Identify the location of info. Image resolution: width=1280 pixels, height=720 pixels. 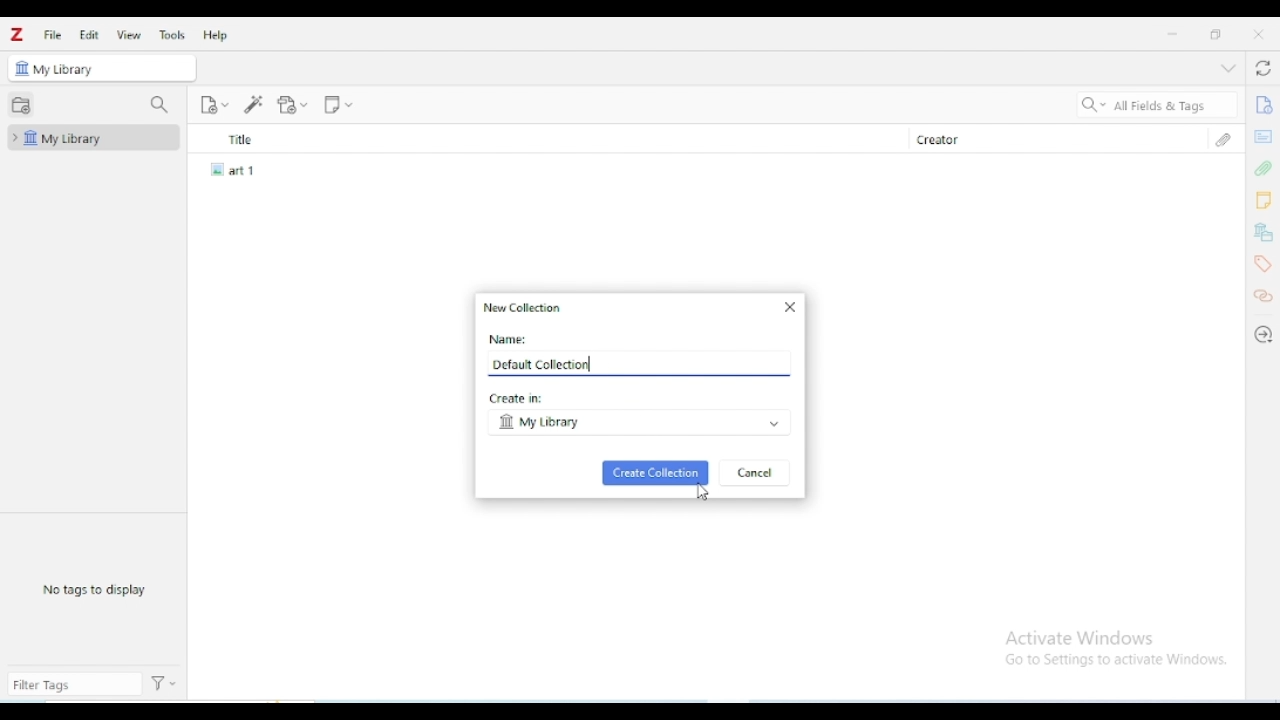
(1263, 105).